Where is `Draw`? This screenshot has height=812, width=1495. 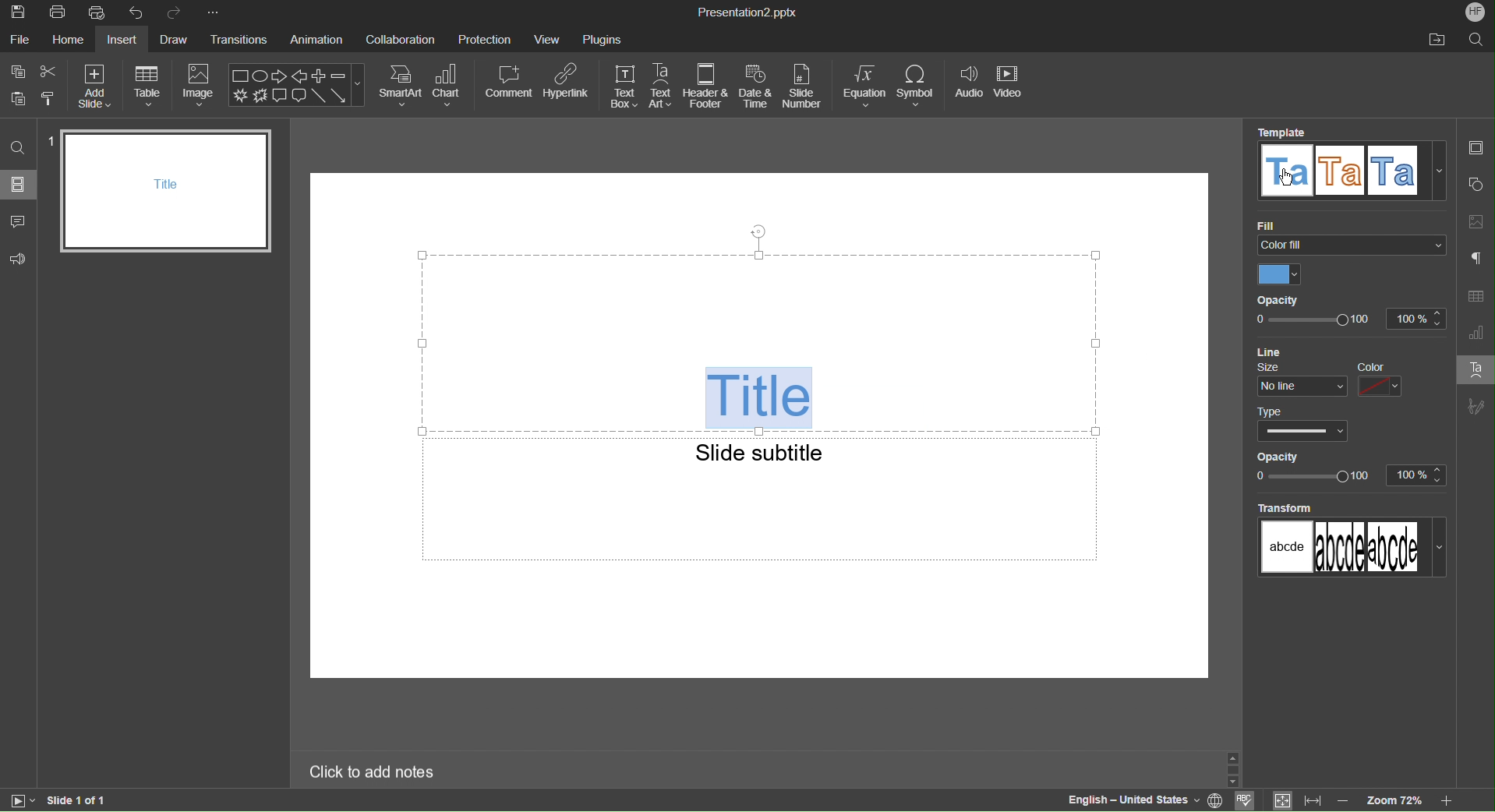 Draw is located at coordinates (178, 40).